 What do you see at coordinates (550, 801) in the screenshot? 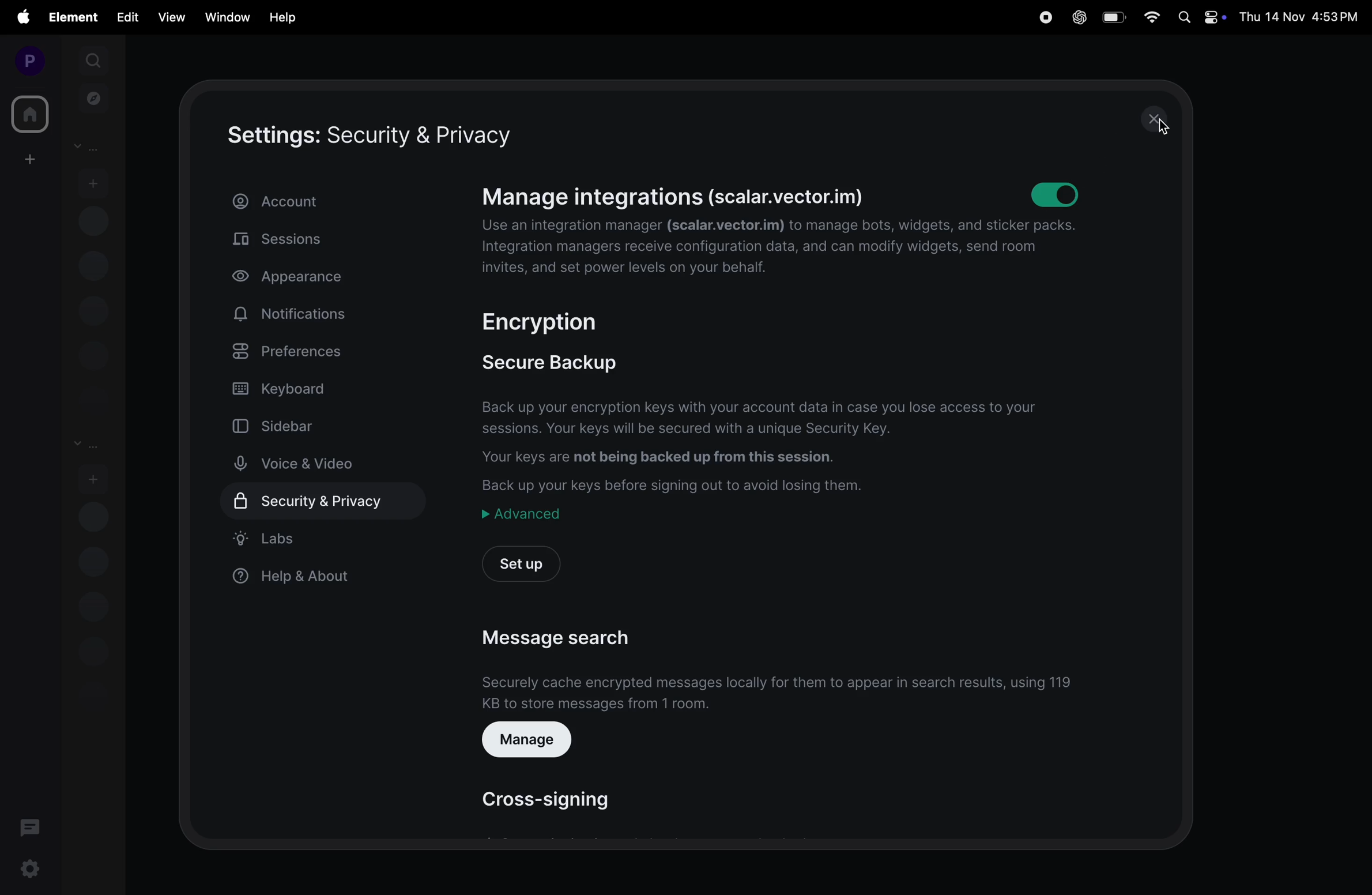
I see `cross signing` at bounding box center [550, 801].